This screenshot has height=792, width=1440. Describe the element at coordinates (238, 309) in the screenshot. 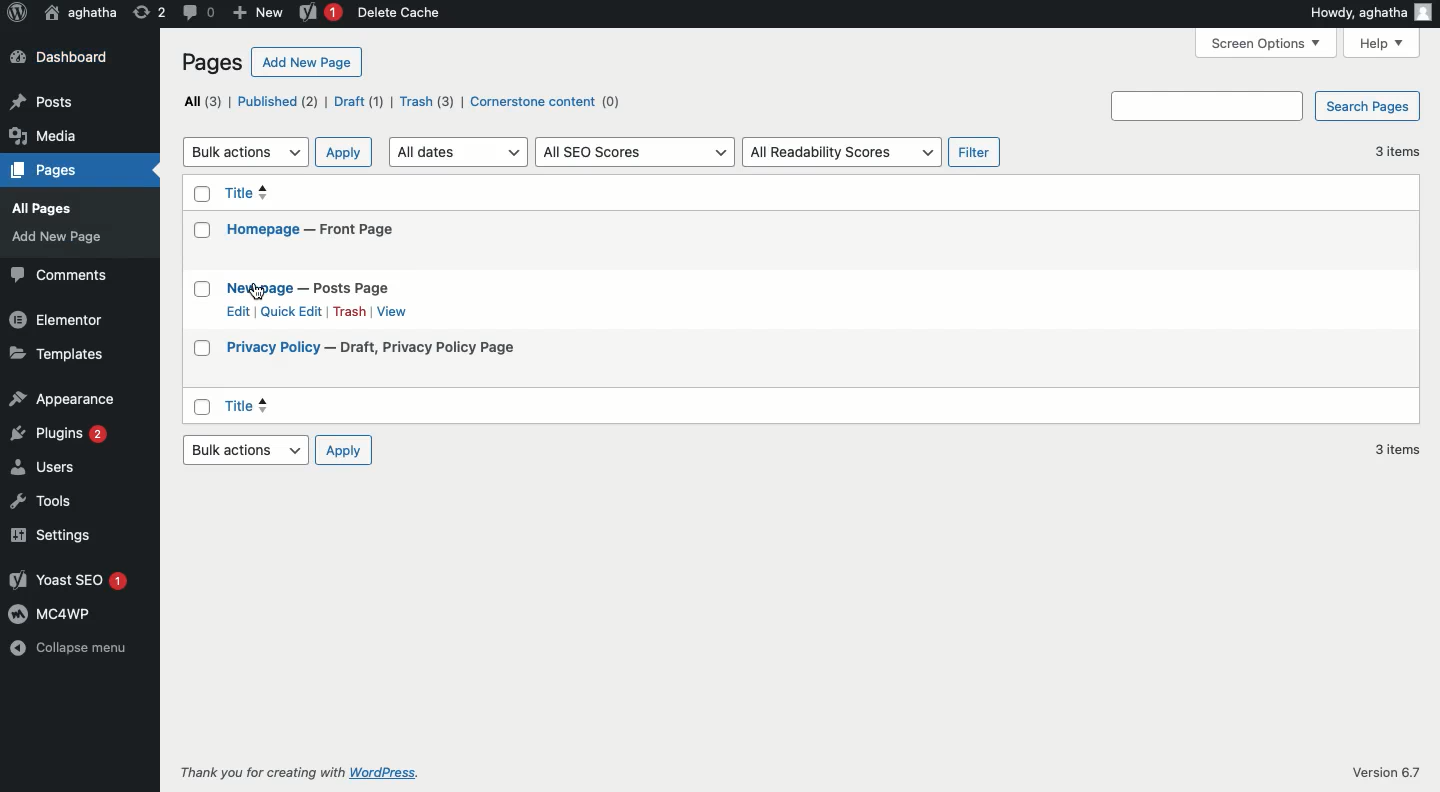

I see `Edit` at that location.